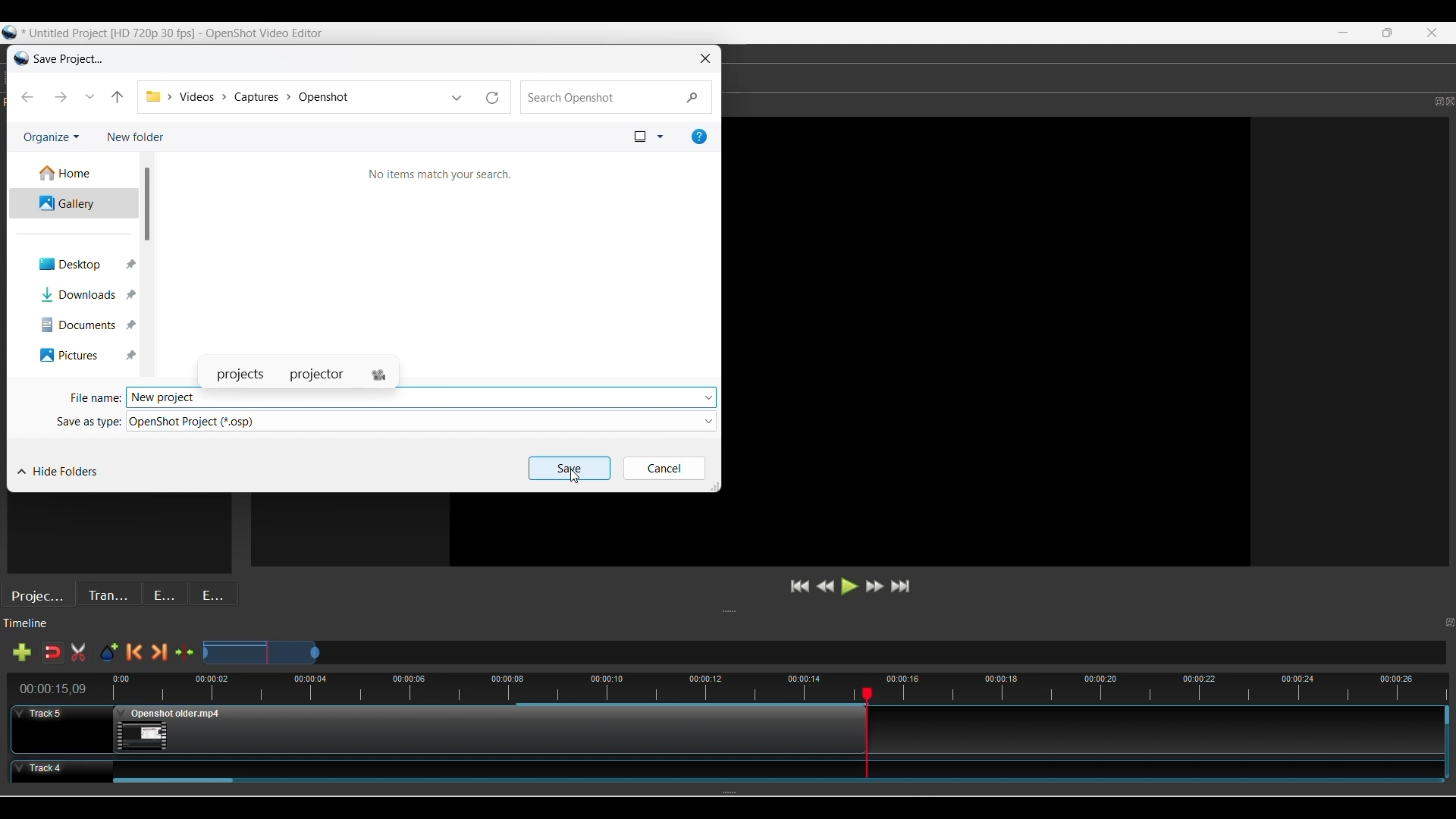 The height and width of the screenshot is (819, 1456). Describe the element at coordinates (159, 652) in the screenshot. I see `Next marker` at that location.